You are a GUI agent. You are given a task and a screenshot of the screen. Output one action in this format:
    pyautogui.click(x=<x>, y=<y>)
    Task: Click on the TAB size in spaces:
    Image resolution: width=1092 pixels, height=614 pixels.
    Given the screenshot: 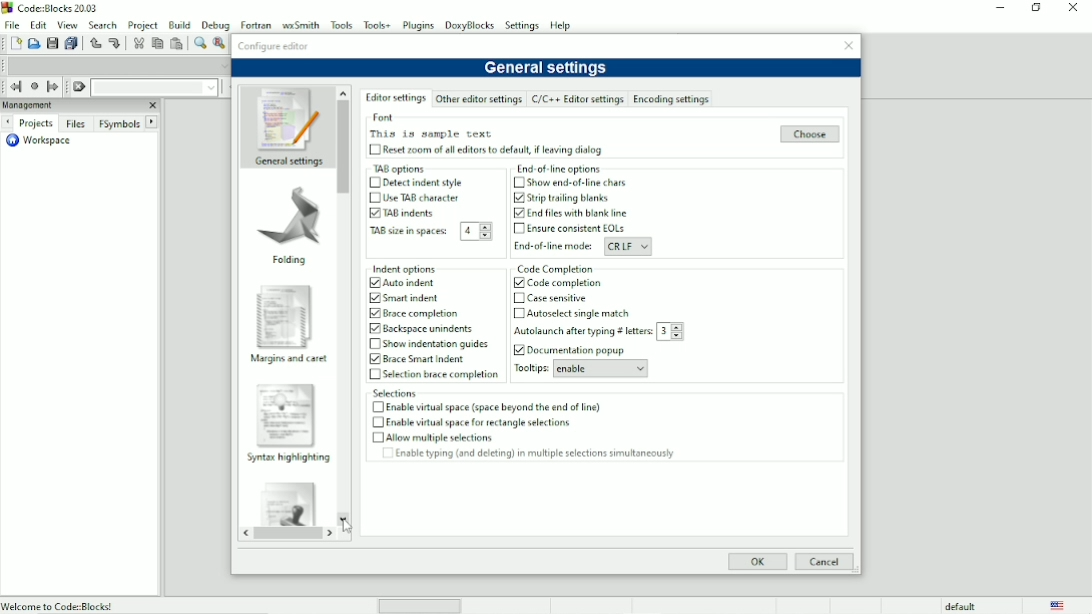 What is the action you would take?
    pyautogui.click(x=409, y=232)
    